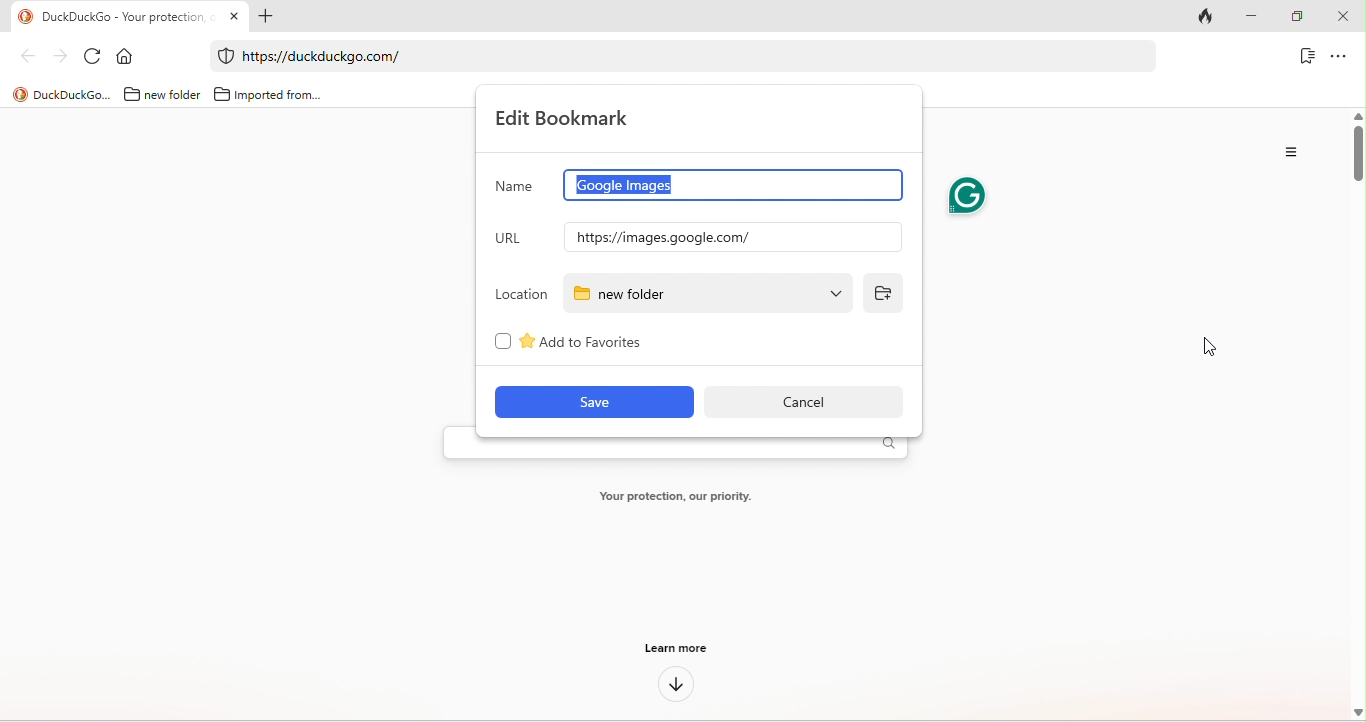 Image resolution: width=1366 pixels, height=722 pixels. What do you see at coordinates (1305, 58) in the screenshot?
I see `bookmark` at bounding box center [1305, 58].